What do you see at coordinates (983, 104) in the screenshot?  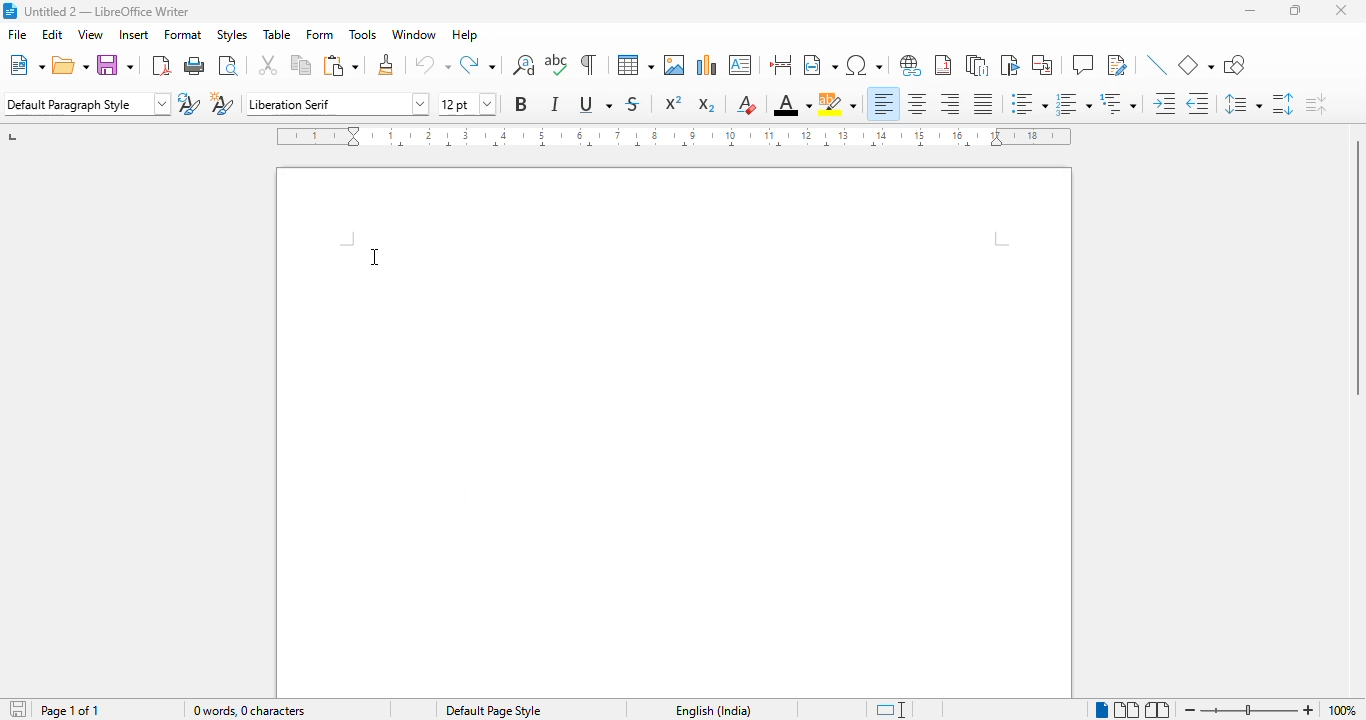 I see `justified` at bounding box center [983, 104].